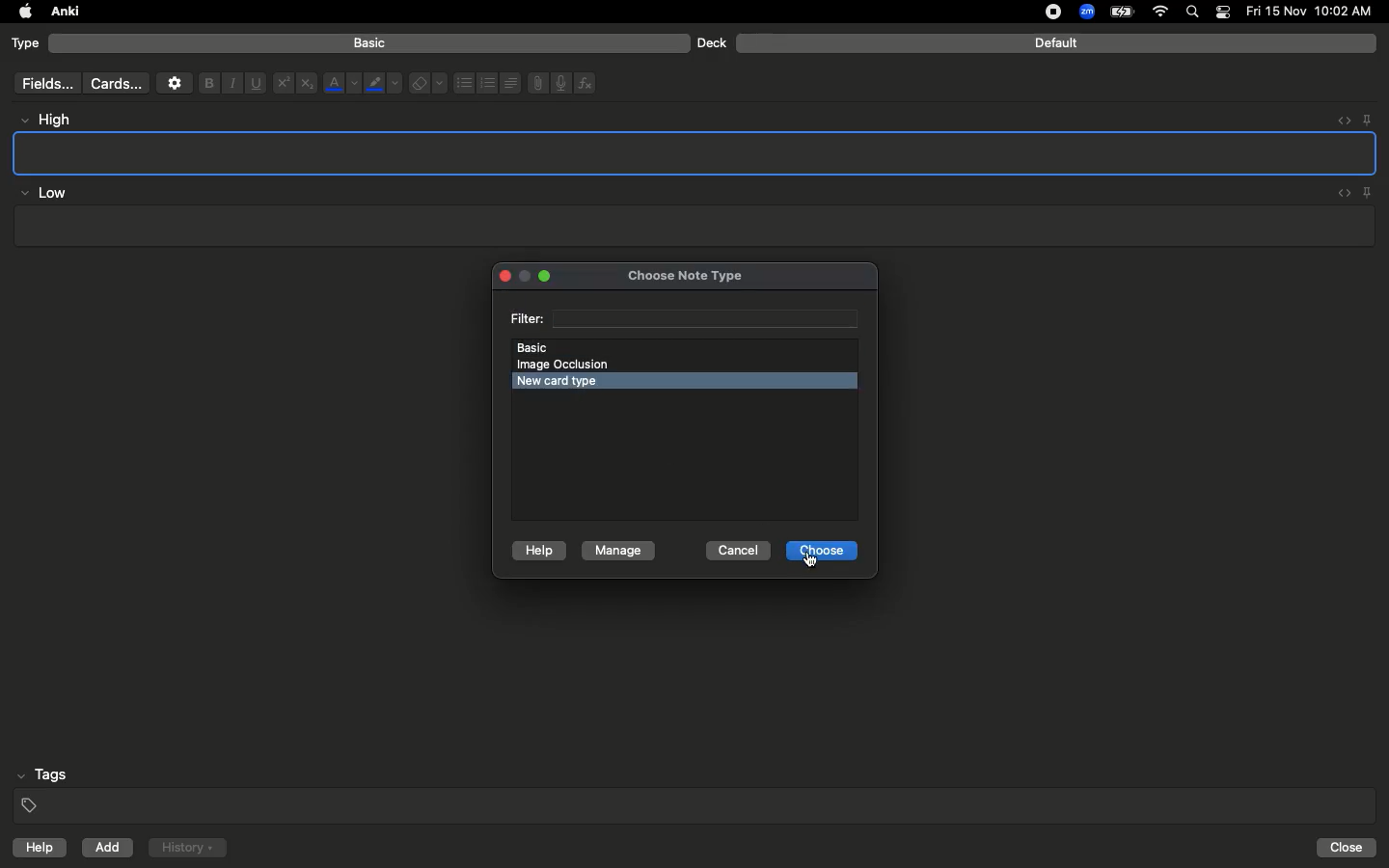  Describe the element at coordinates (508, 81) in the screenshot. I see `Alignment` at that location.